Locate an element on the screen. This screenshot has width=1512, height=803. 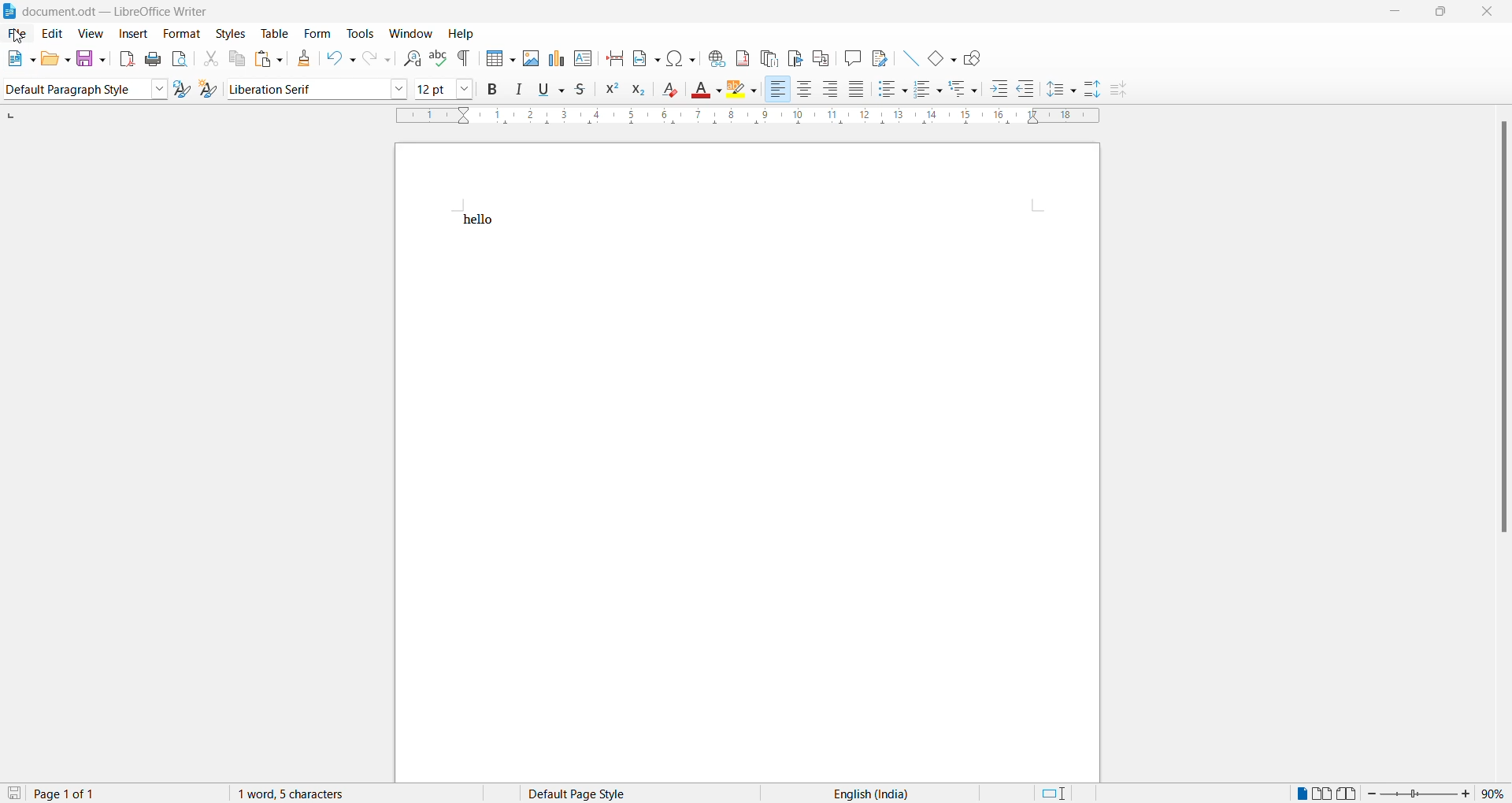
Justify is located at coordinates (856, 91).